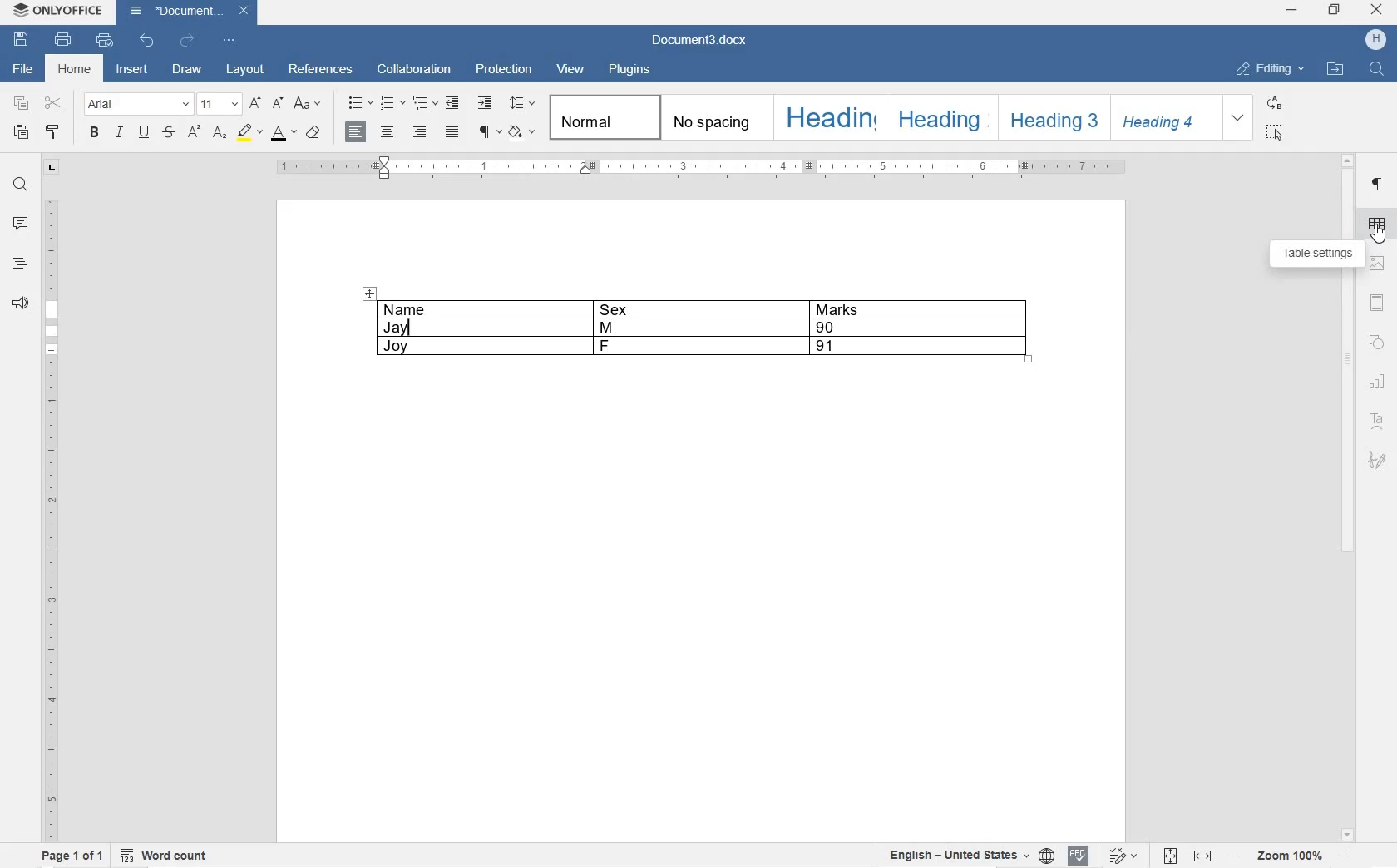 The width and height of the screenshot is (1397, 868). I want to click on CHART, so click(1377, 384).